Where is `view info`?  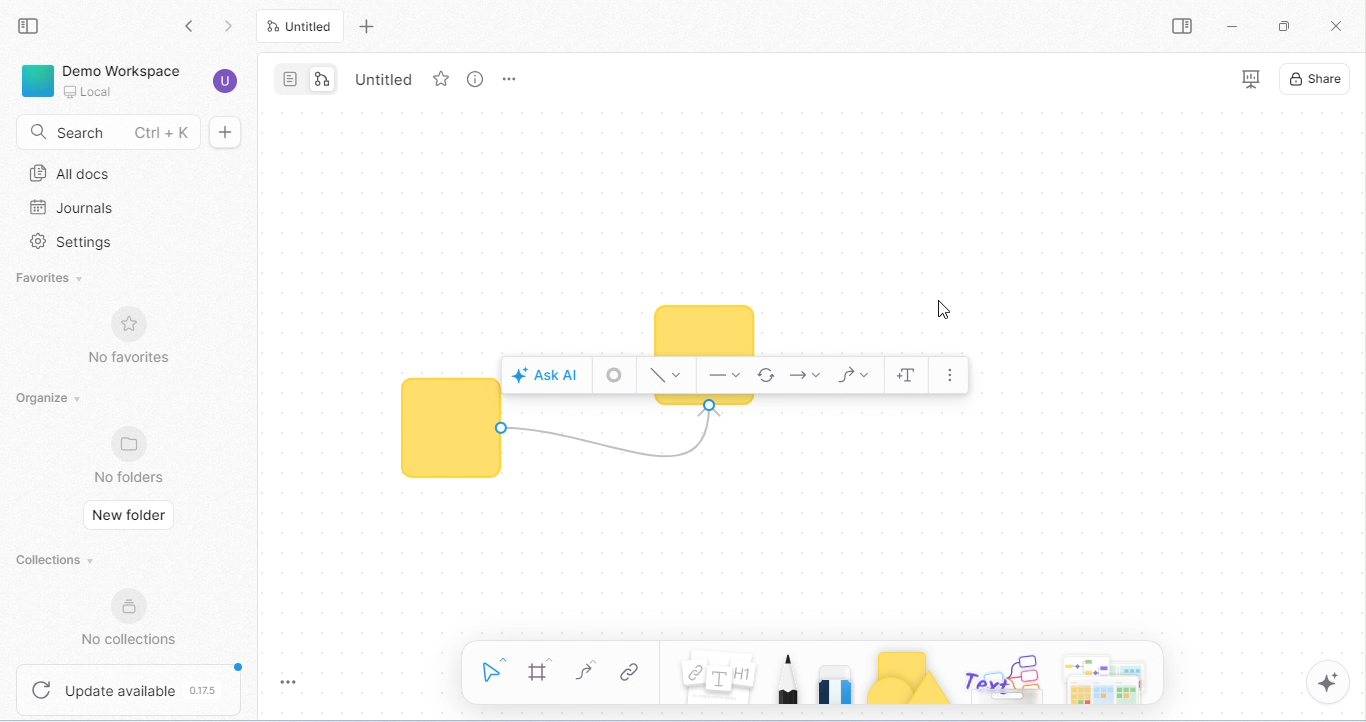
view info is located at coordinates (476, 79).